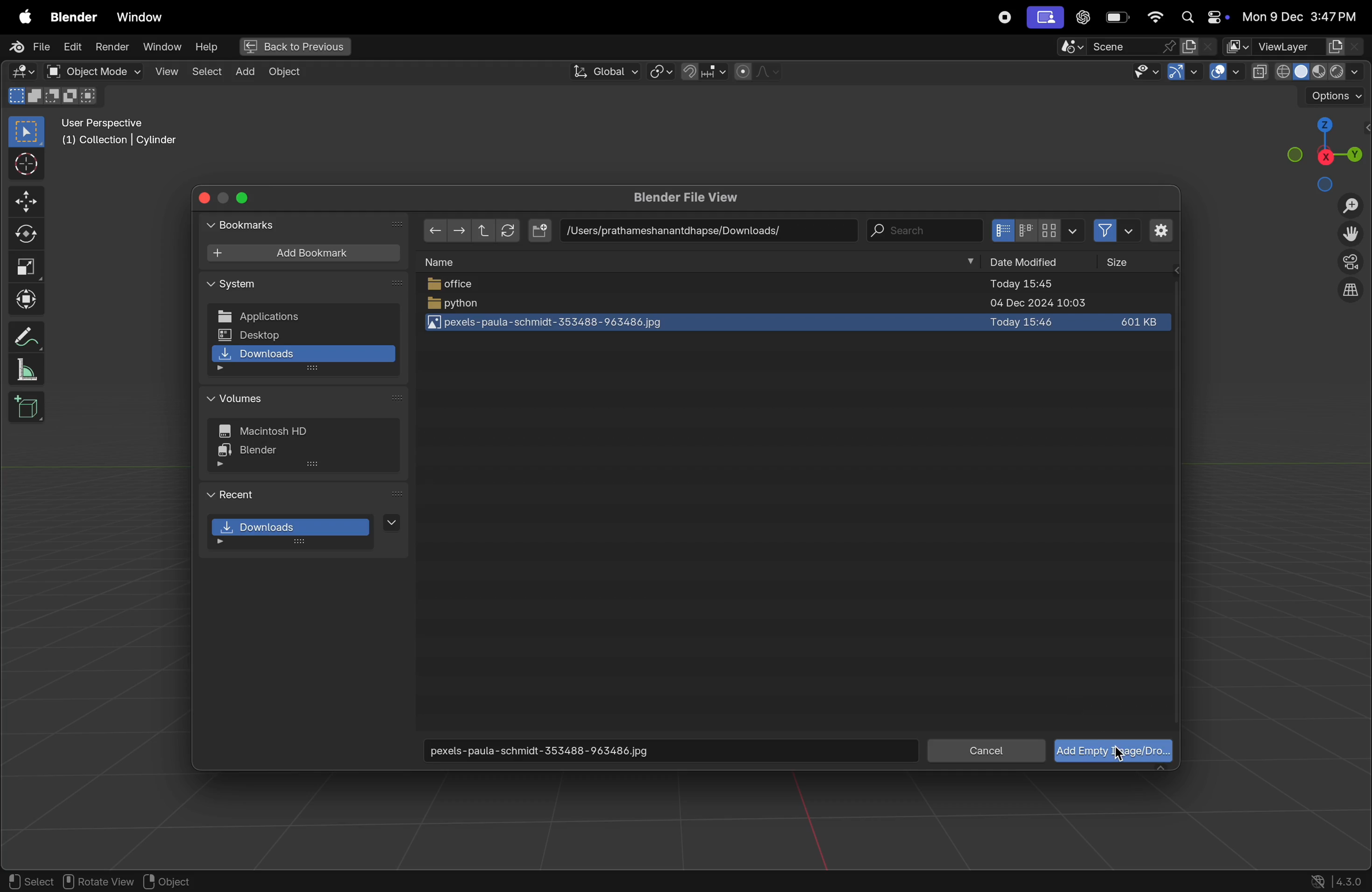  Describe the element at coordinates (1002, 17) in the screenshot. I see `record` at that location.